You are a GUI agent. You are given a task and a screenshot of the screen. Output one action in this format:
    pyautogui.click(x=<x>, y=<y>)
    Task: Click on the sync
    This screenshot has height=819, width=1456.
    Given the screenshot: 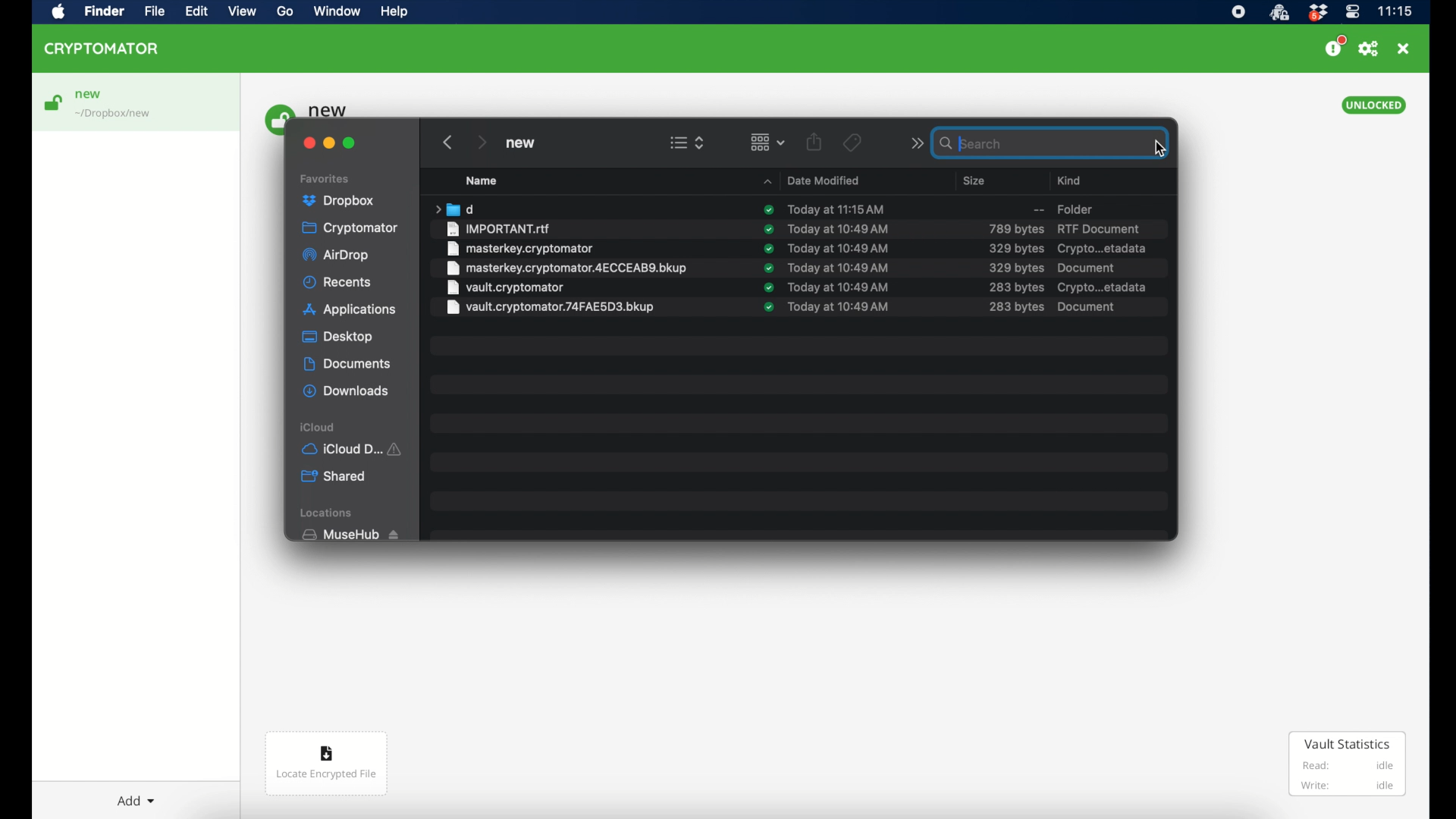 What is the action you would take?
    pyautogui.click(x=769, y=230)
    